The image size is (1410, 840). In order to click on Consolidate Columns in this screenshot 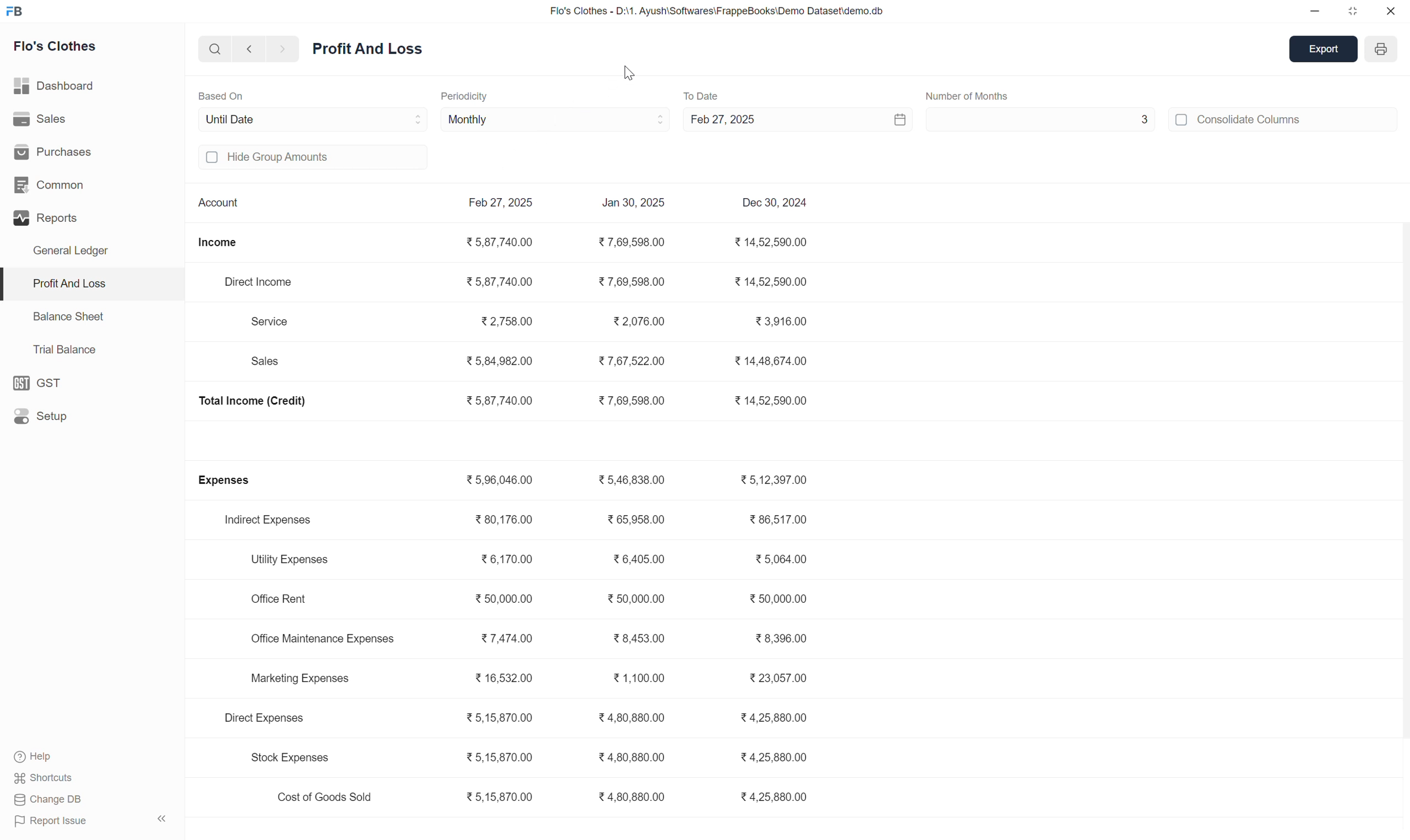, I will do `click(1242, 119)`.